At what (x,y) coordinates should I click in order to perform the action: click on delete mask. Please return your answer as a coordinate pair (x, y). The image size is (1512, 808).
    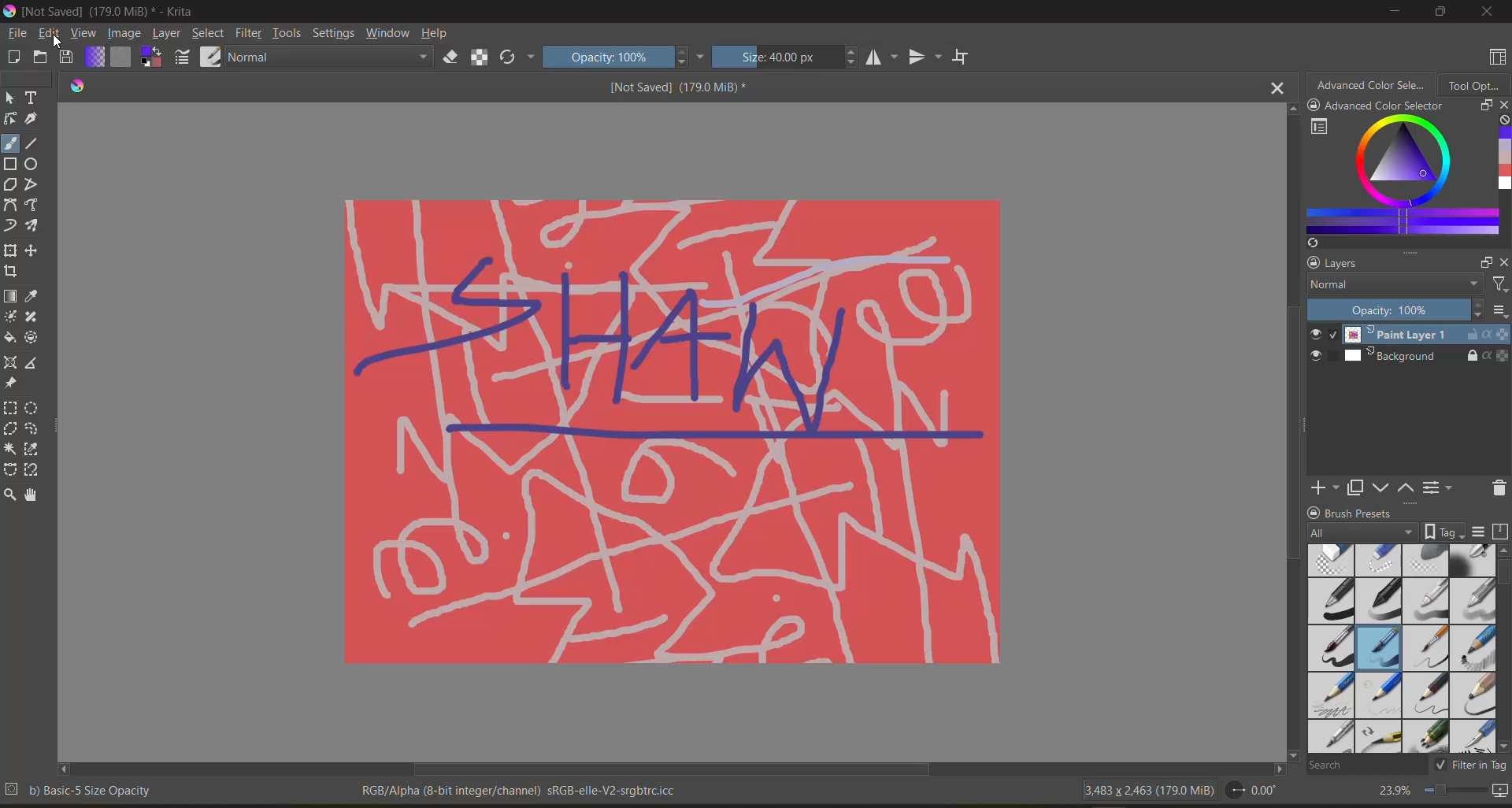
    Looking at the image, I should click on (1497, 487).